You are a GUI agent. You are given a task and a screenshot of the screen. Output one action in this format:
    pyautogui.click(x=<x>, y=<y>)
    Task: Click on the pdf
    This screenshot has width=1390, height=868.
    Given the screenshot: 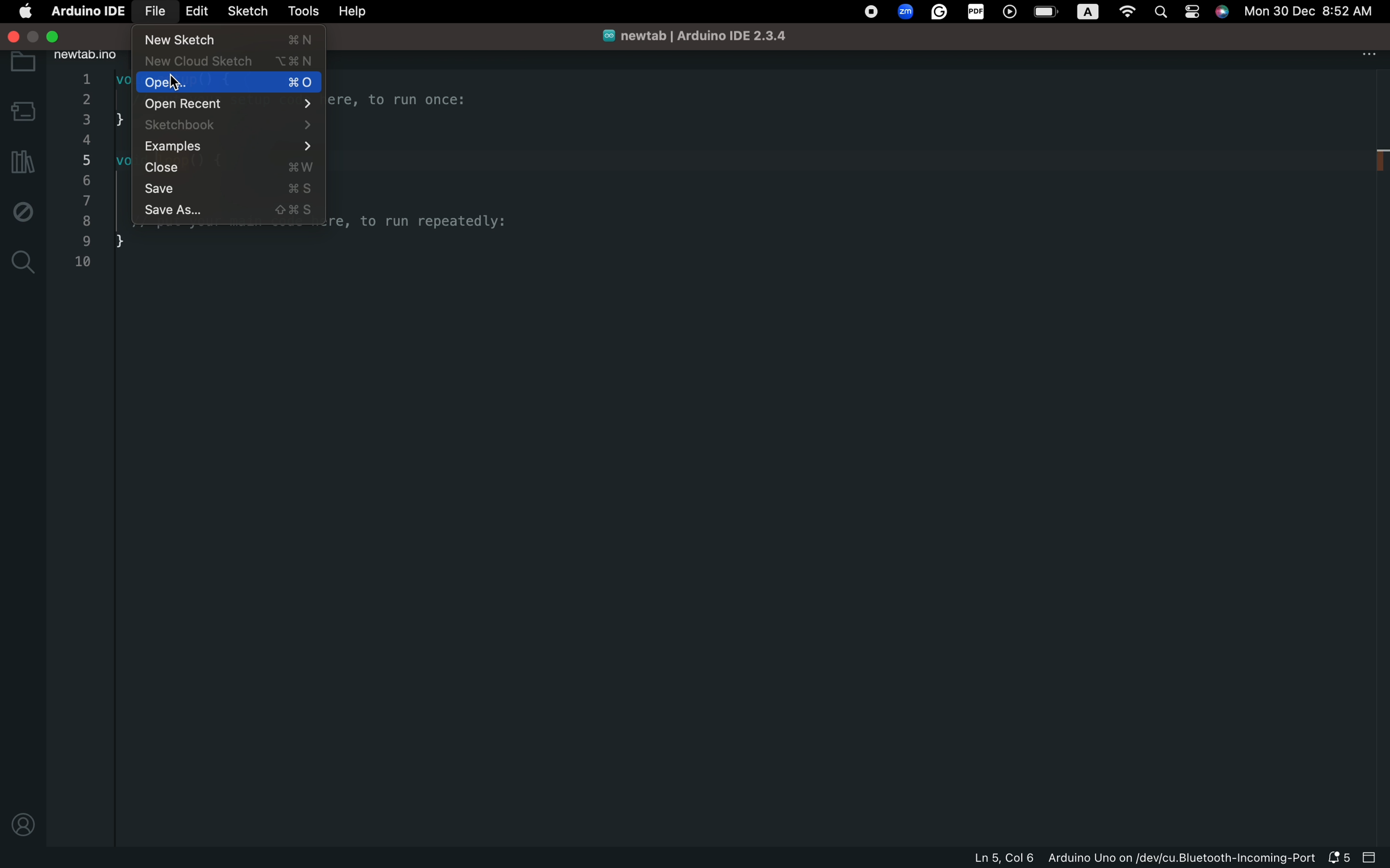 What is the action you would take?
    pyautogui.click(x=978, y=12)
    